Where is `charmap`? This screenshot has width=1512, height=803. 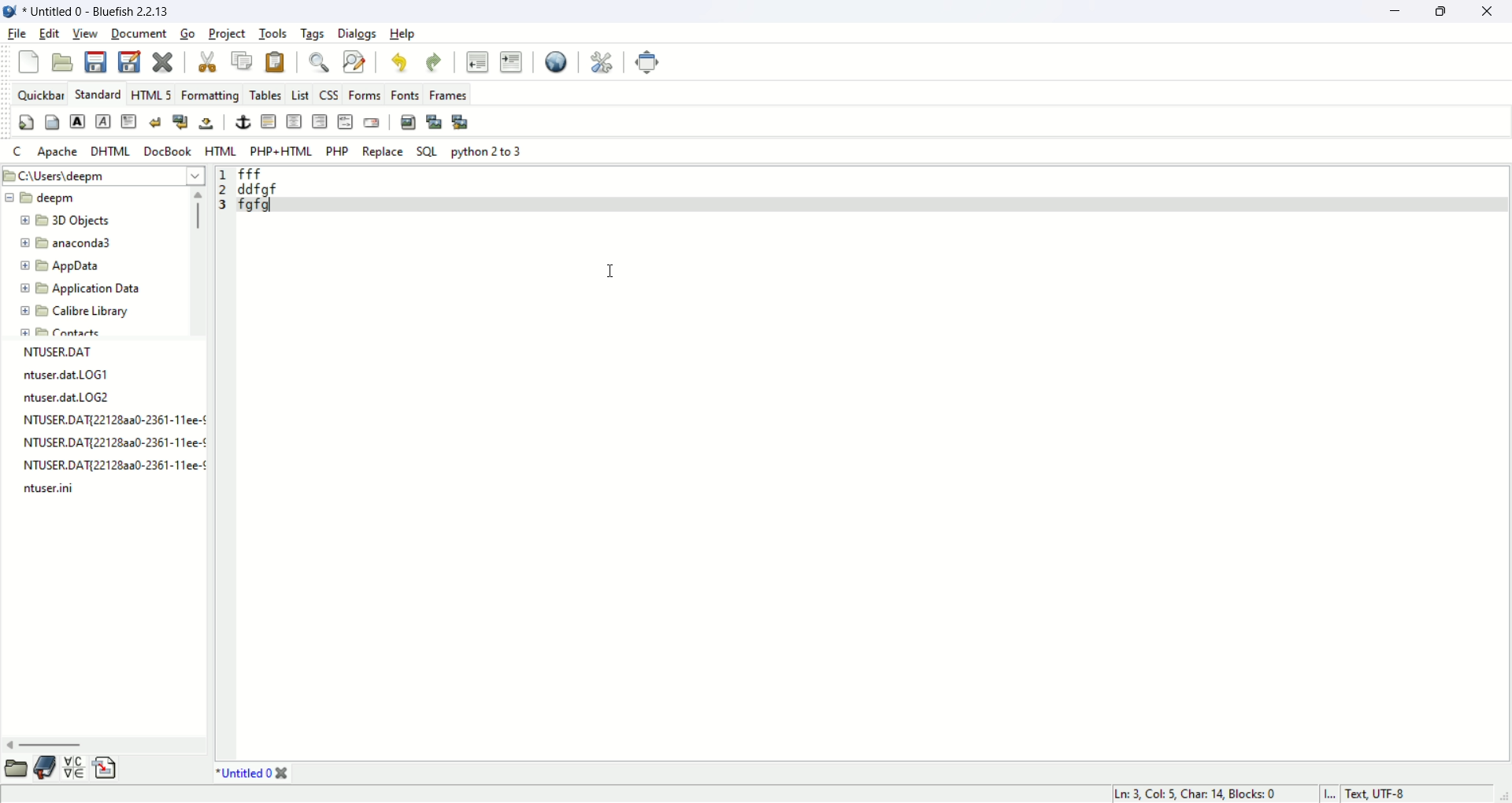 charmap is located at coordinates (75, 772).